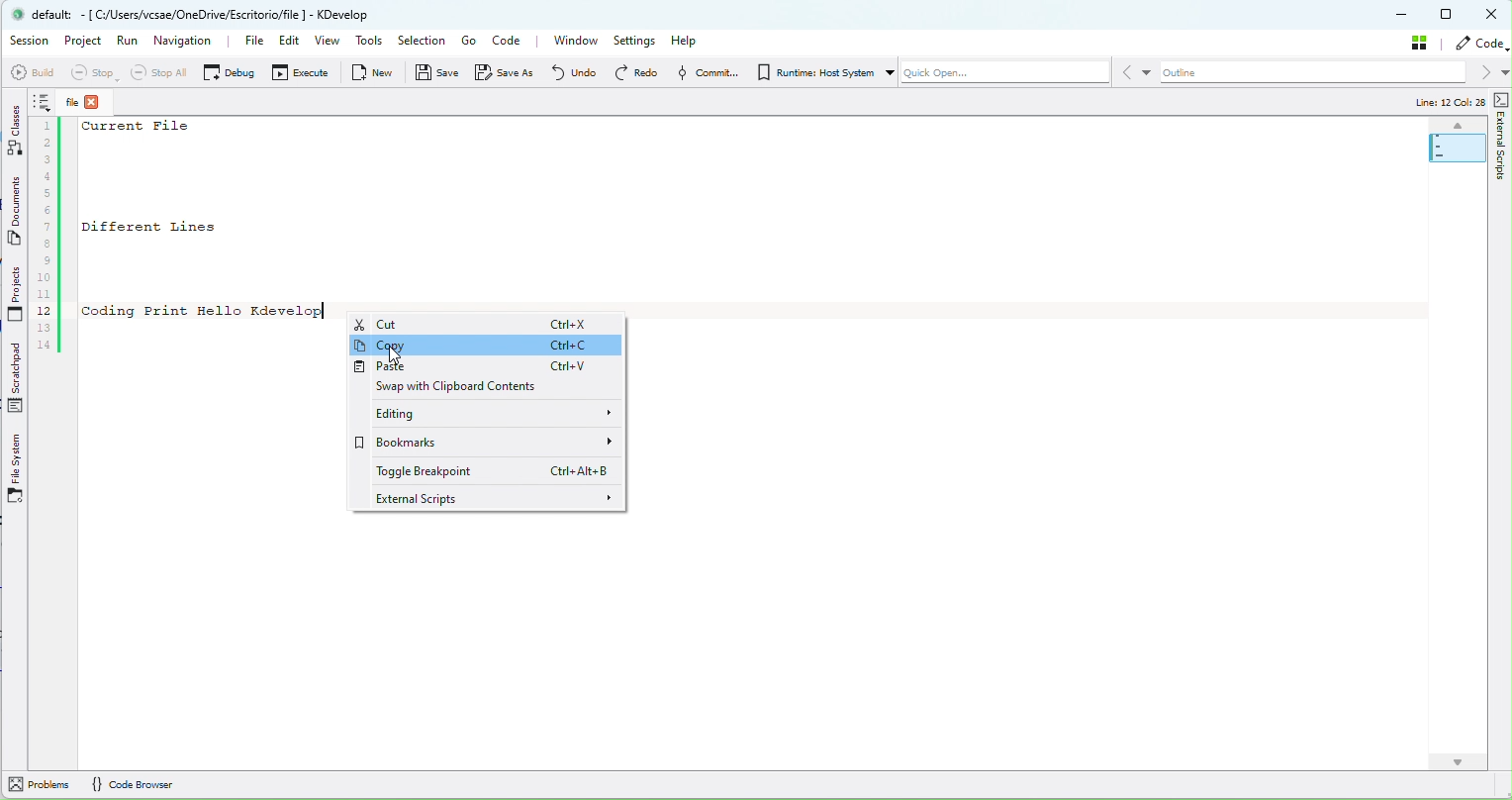  What do you see at coordinates (479, 414) in the screenshot?
I see `Editing` at bounding box center [479, 414].